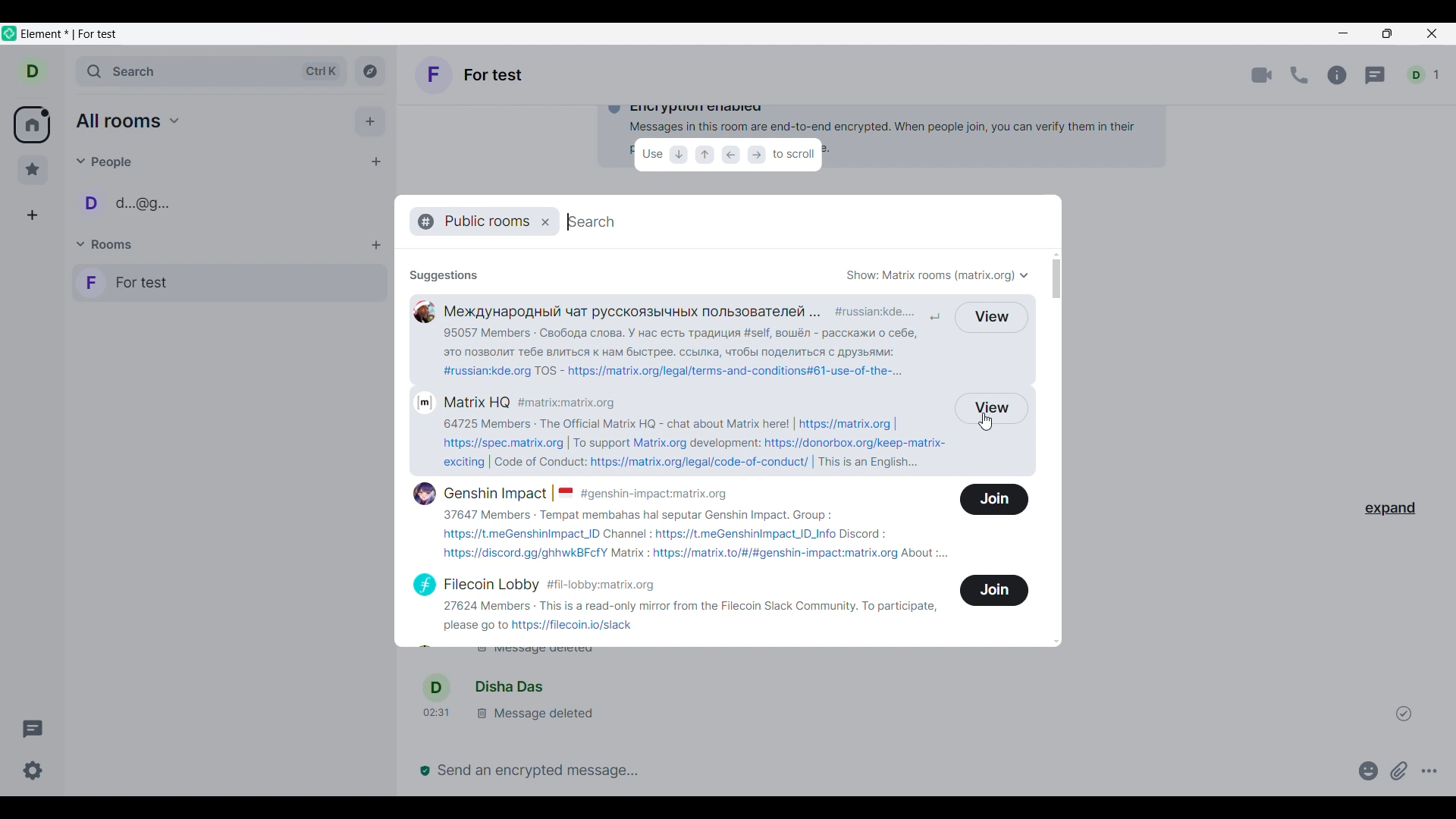 This screenshot has width=1456, height=819. I want to click on 37647 Members • Tempat membahas hal seputar Genshin Impact. Group :, so click(648, 516).